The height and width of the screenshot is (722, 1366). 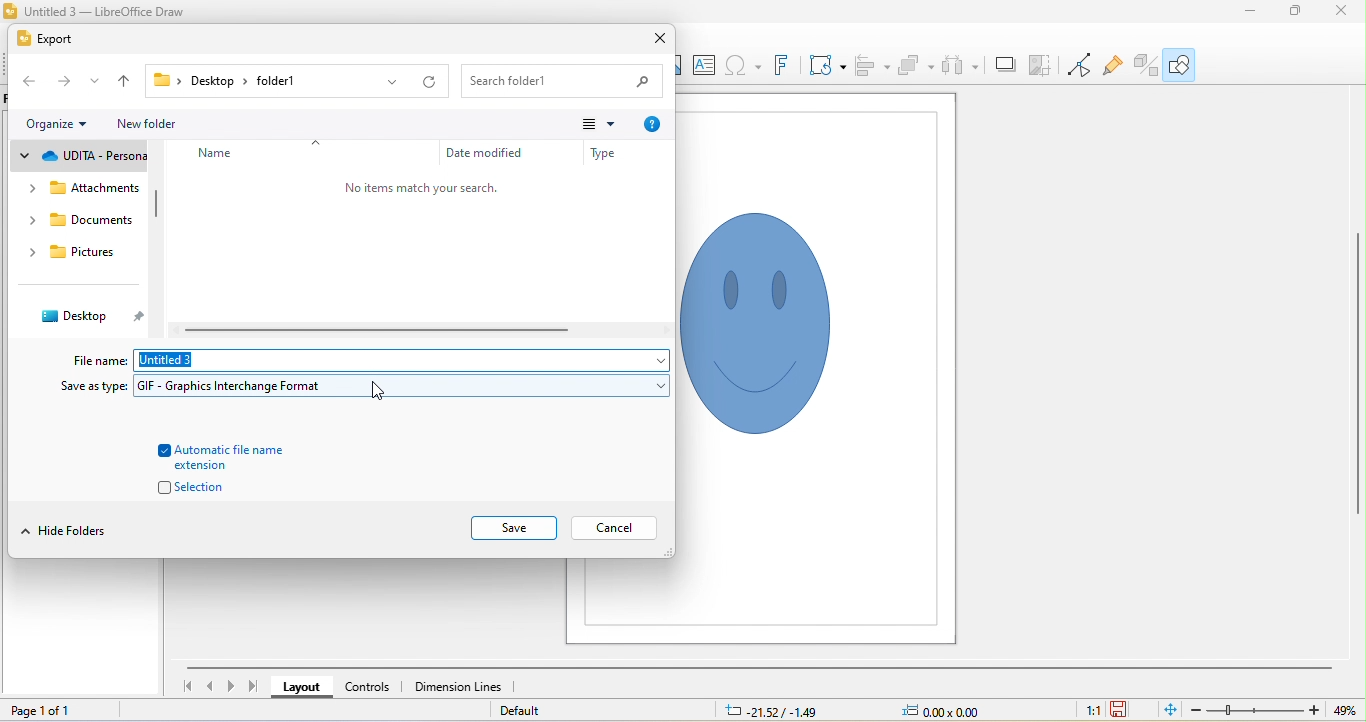 What do you see at coordinates (89, 252) in the screenshot?
I see `pictures` at bounding box center [89, 252].